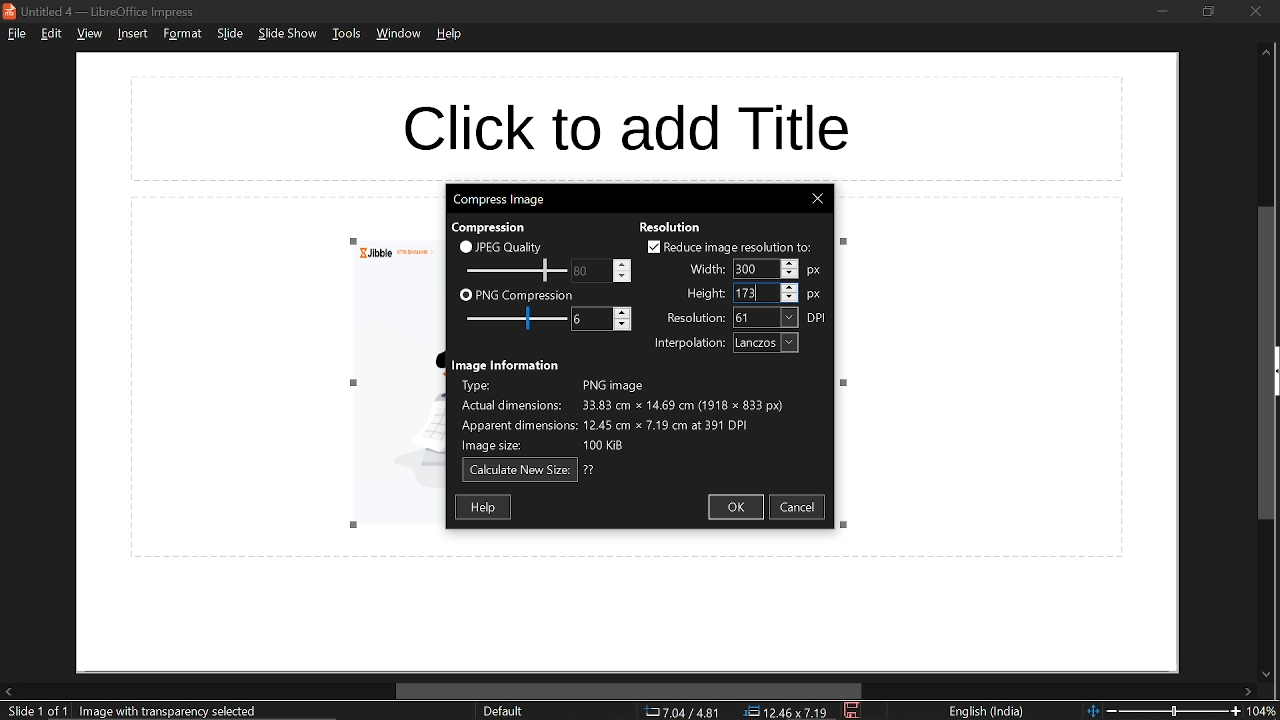 Image resolution: width=1280 pixels, height=720 pixels. Describe the element at coordinates (758, 294) in the screenshot. I see `Cursor` at that location.